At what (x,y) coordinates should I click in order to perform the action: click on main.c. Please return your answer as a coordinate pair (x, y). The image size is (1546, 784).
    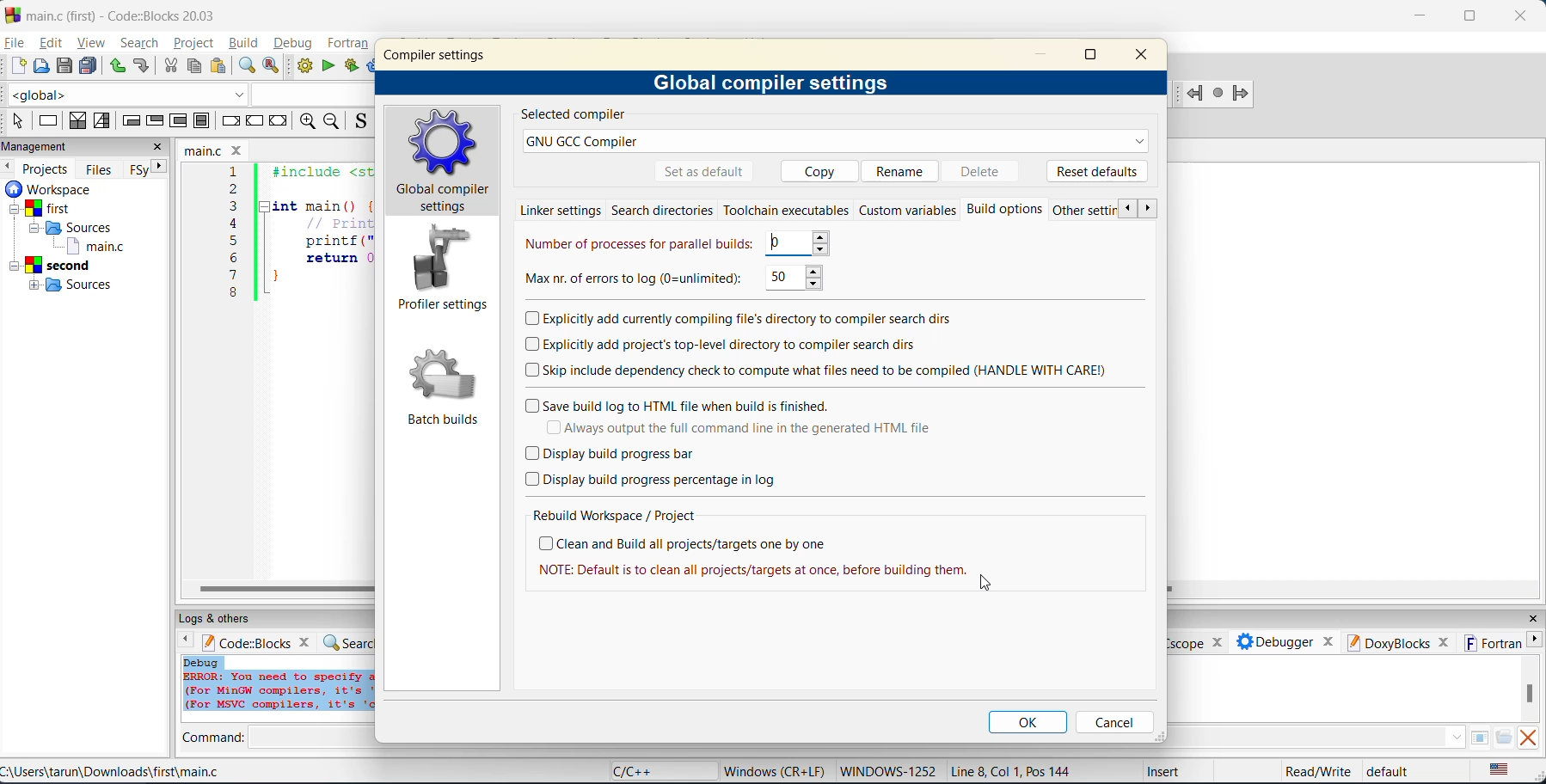
    Looking at the image, I should click on (216, 149).